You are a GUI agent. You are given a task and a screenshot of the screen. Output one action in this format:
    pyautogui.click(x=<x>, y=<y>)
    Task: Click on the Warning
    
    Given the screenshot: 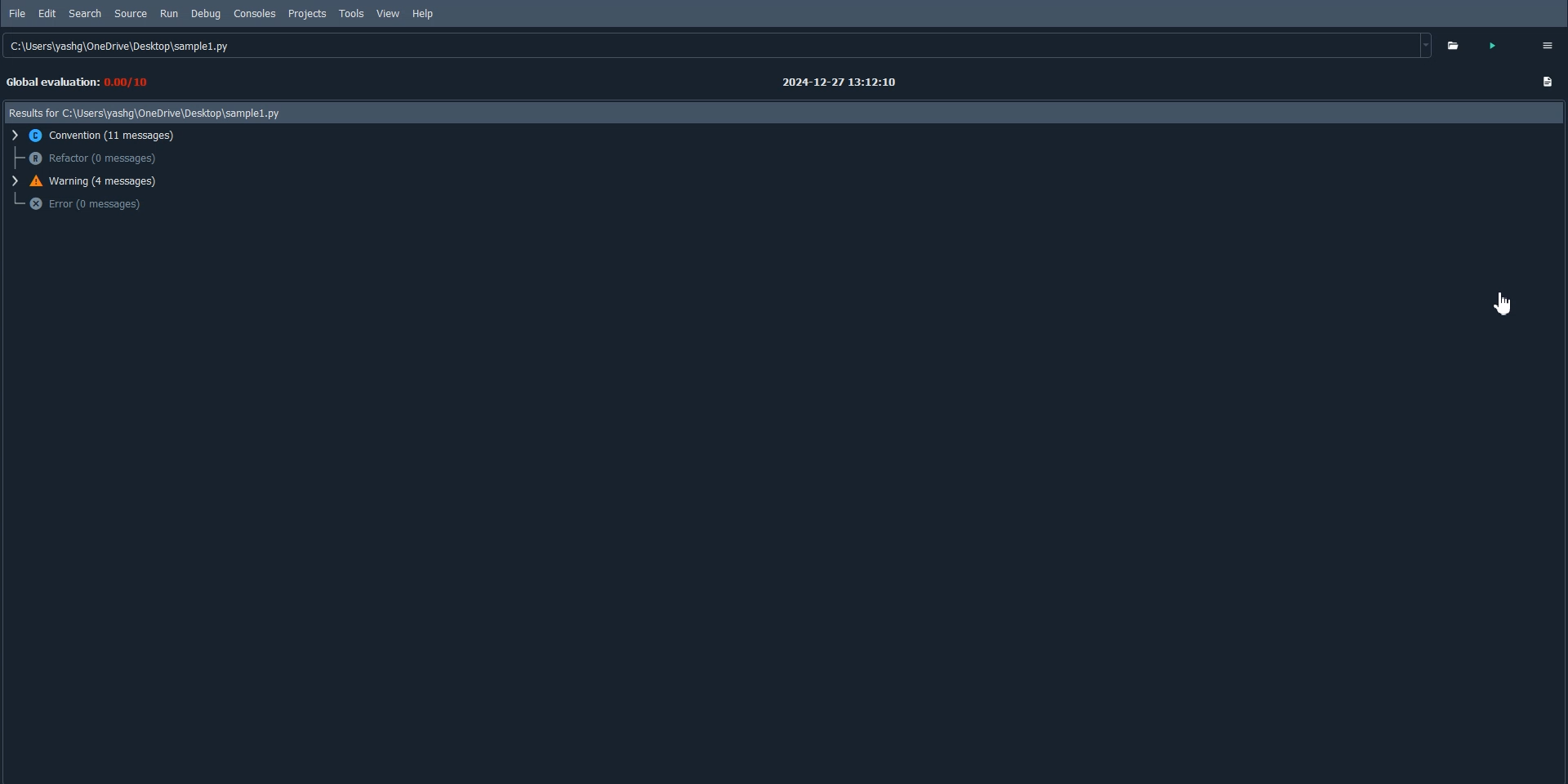 What is the action you would take?
    pyautogui.click(x=91, y=181)
    